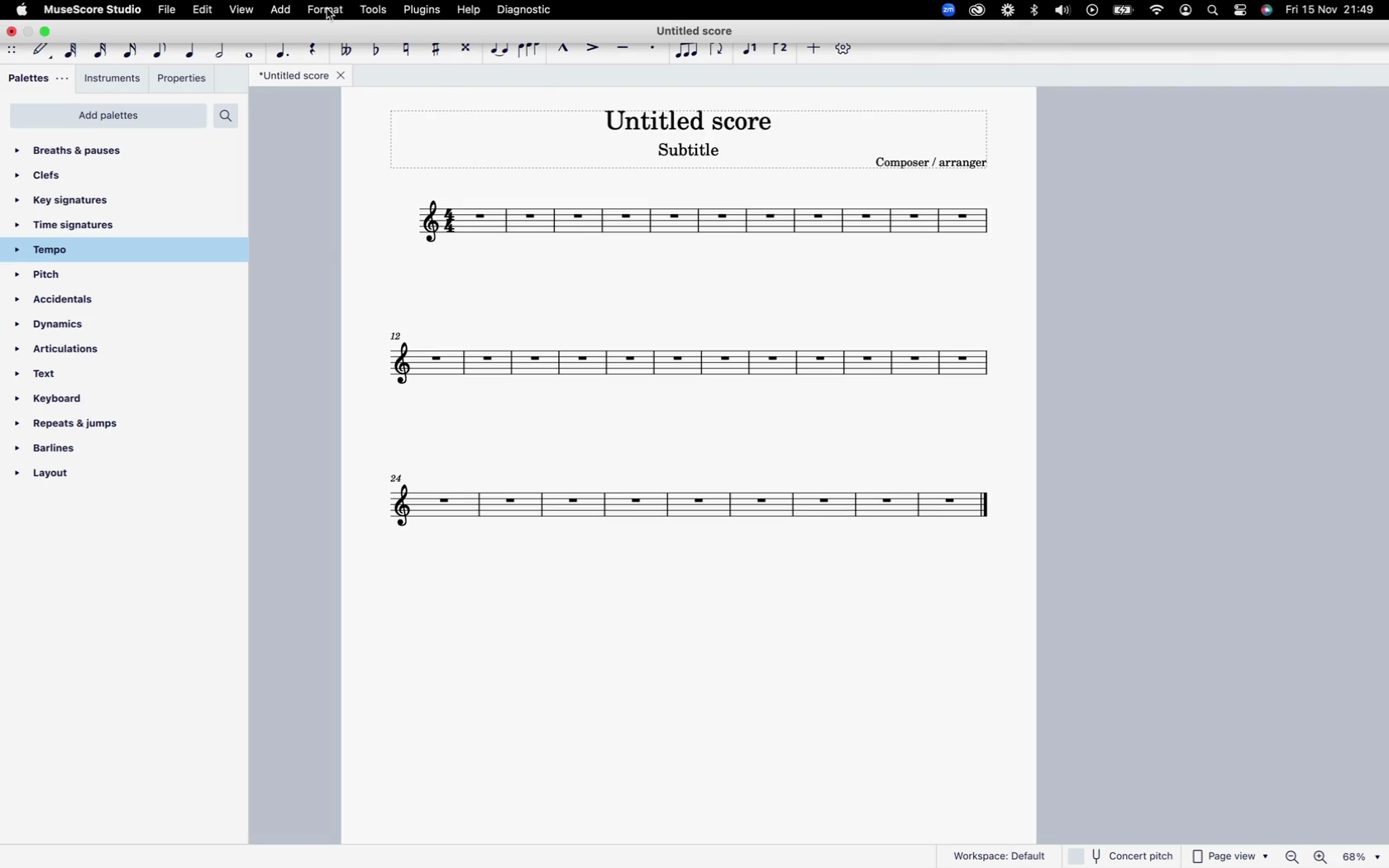 Image resolution: width=1389 pixels, height=868 pixels. I want to click on properties, so click(183, 81).